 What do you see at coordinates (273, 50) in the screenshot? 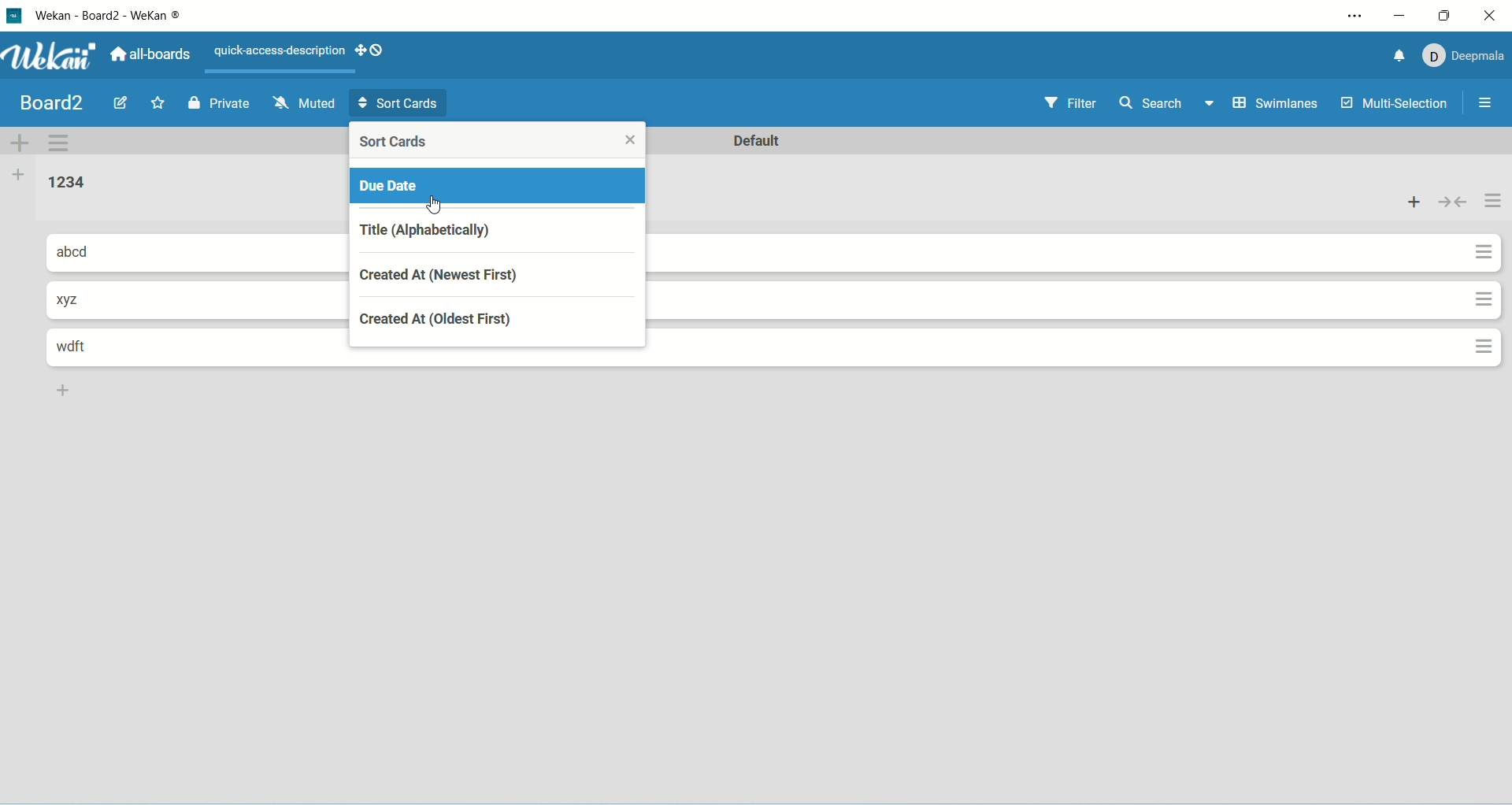
I see `text` at bounding box center [273, 50].